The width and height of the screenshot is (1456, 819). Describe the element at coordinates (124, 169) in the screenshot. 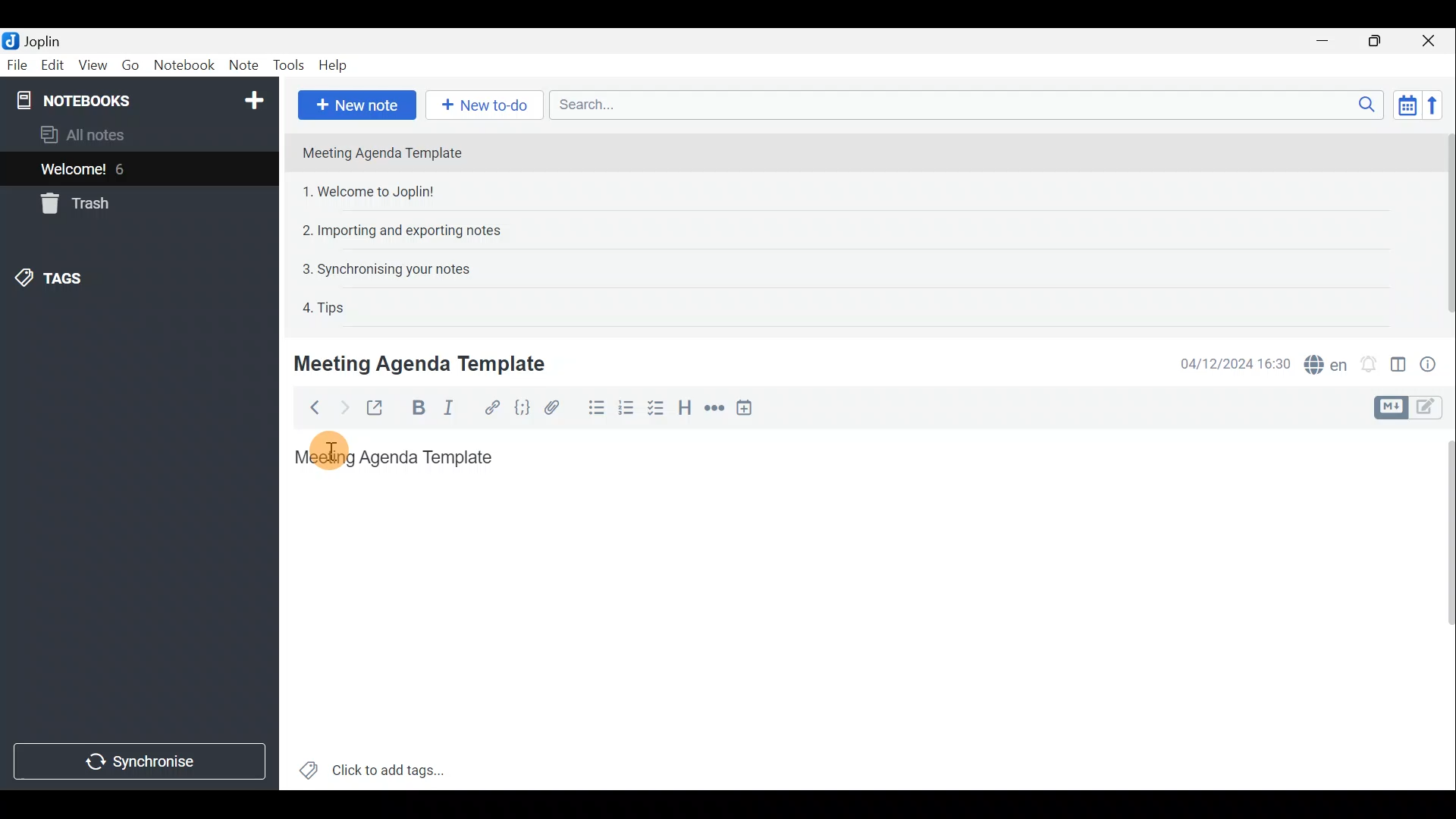

I see `6` at that location.